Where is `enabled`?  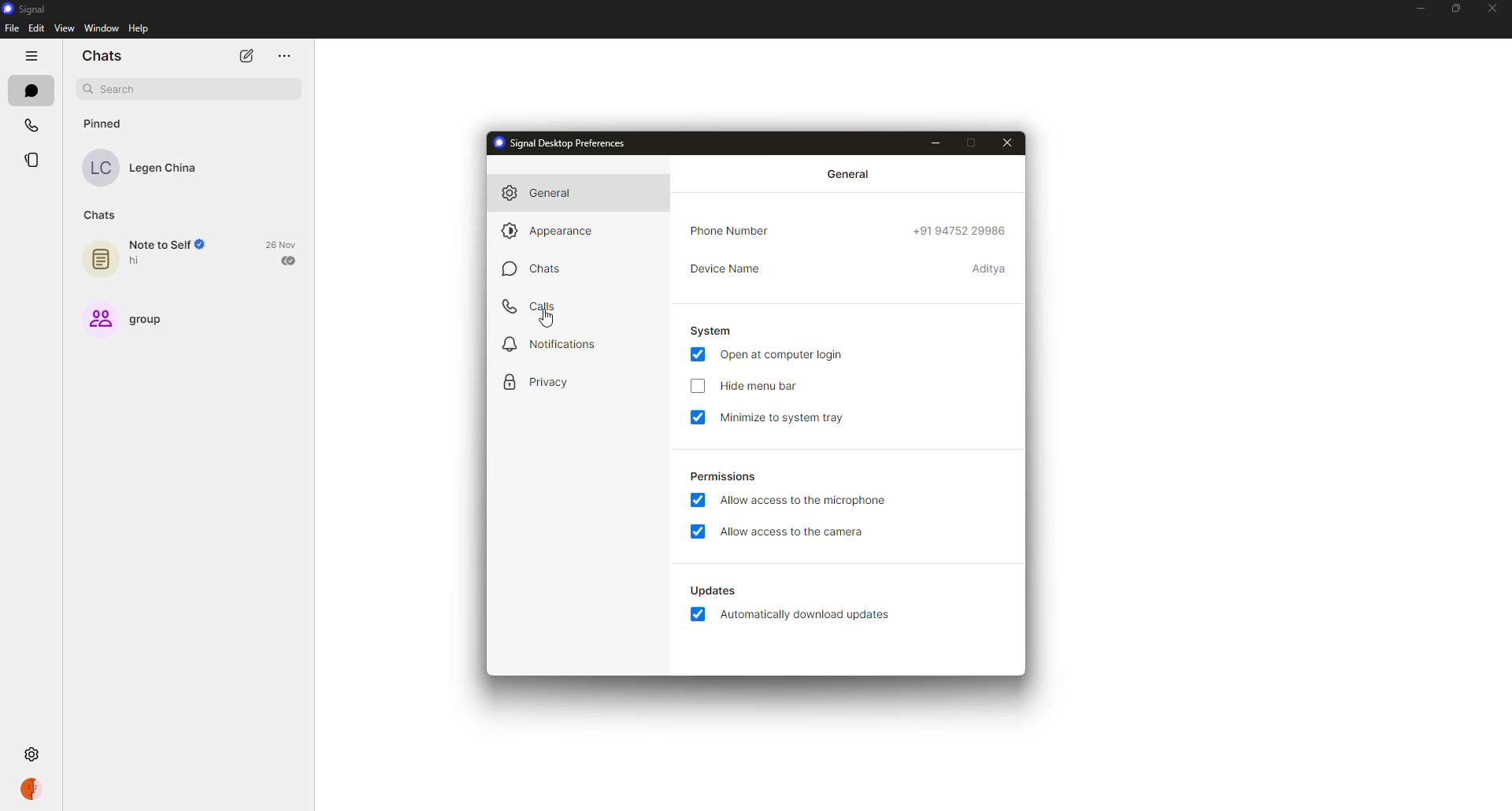 enabled is located at coordinates (696, 353).